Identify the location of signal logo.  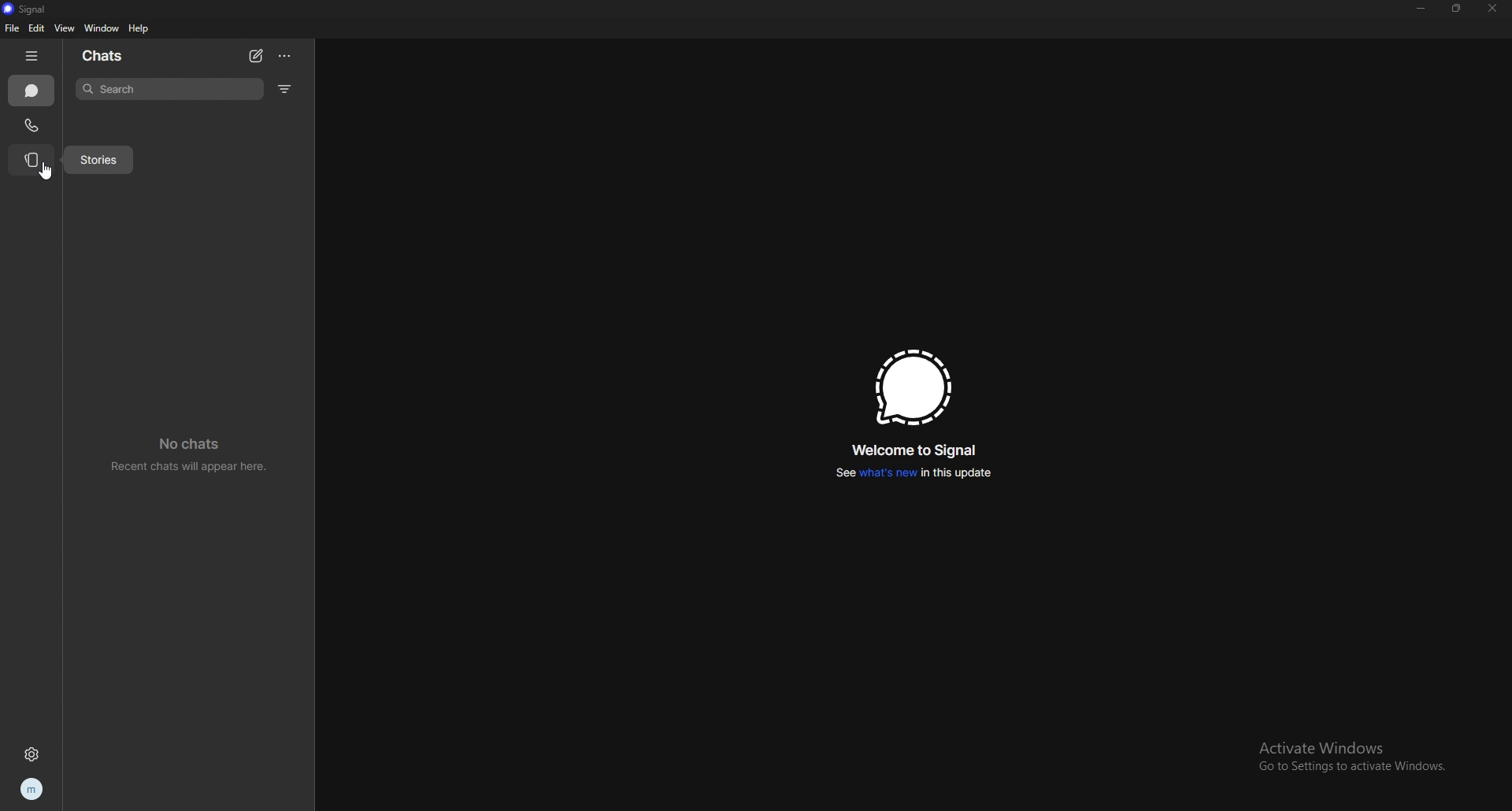
(913, 386).